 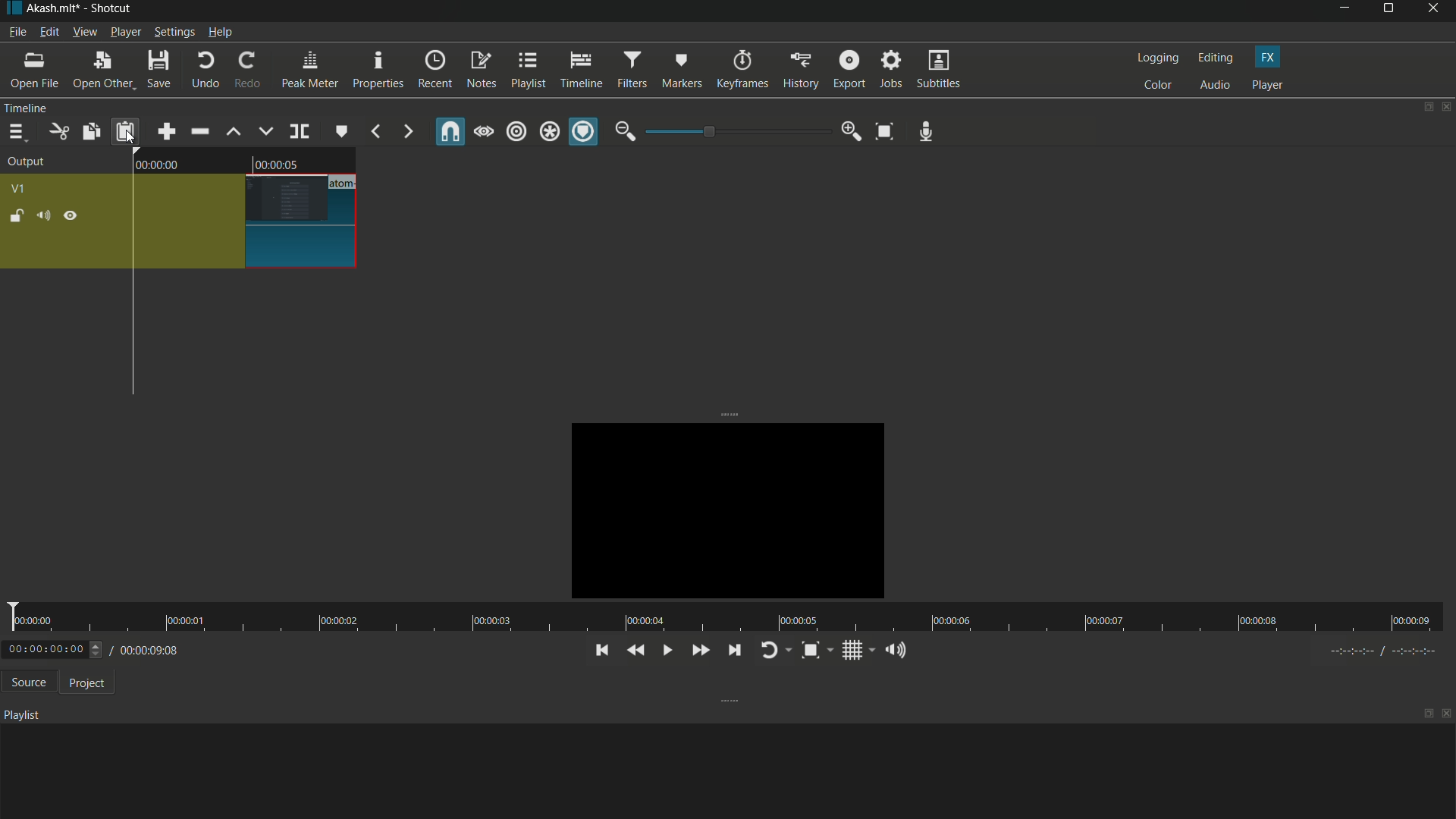 I want to click on lift, so click(x=234, y=132).